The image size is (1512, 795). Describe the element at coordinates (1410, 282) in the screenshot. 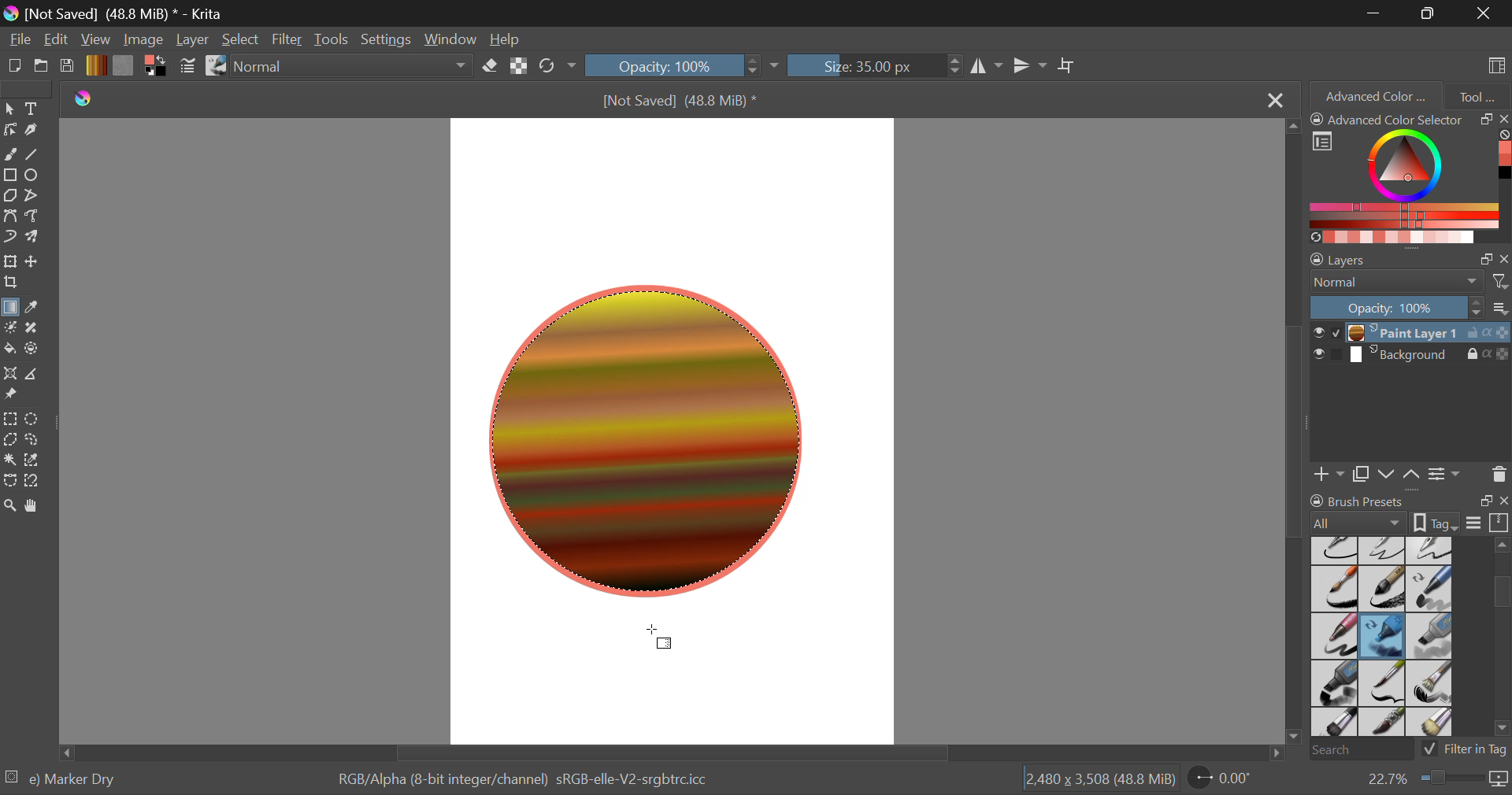

I see `Blending Mode` at that location.